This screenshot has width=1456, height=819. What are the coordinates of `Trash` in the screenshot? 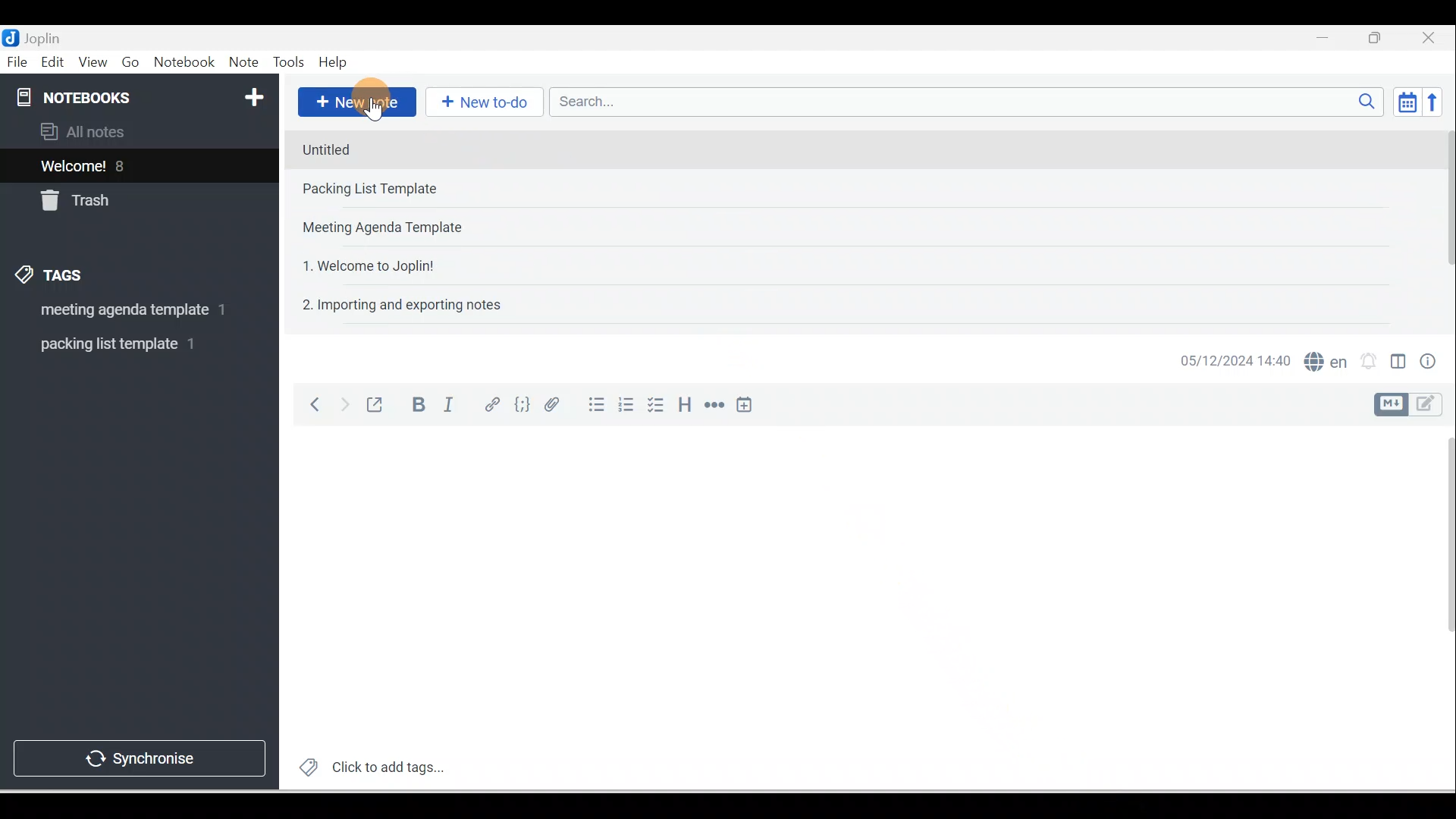 It's located at (111, 196).